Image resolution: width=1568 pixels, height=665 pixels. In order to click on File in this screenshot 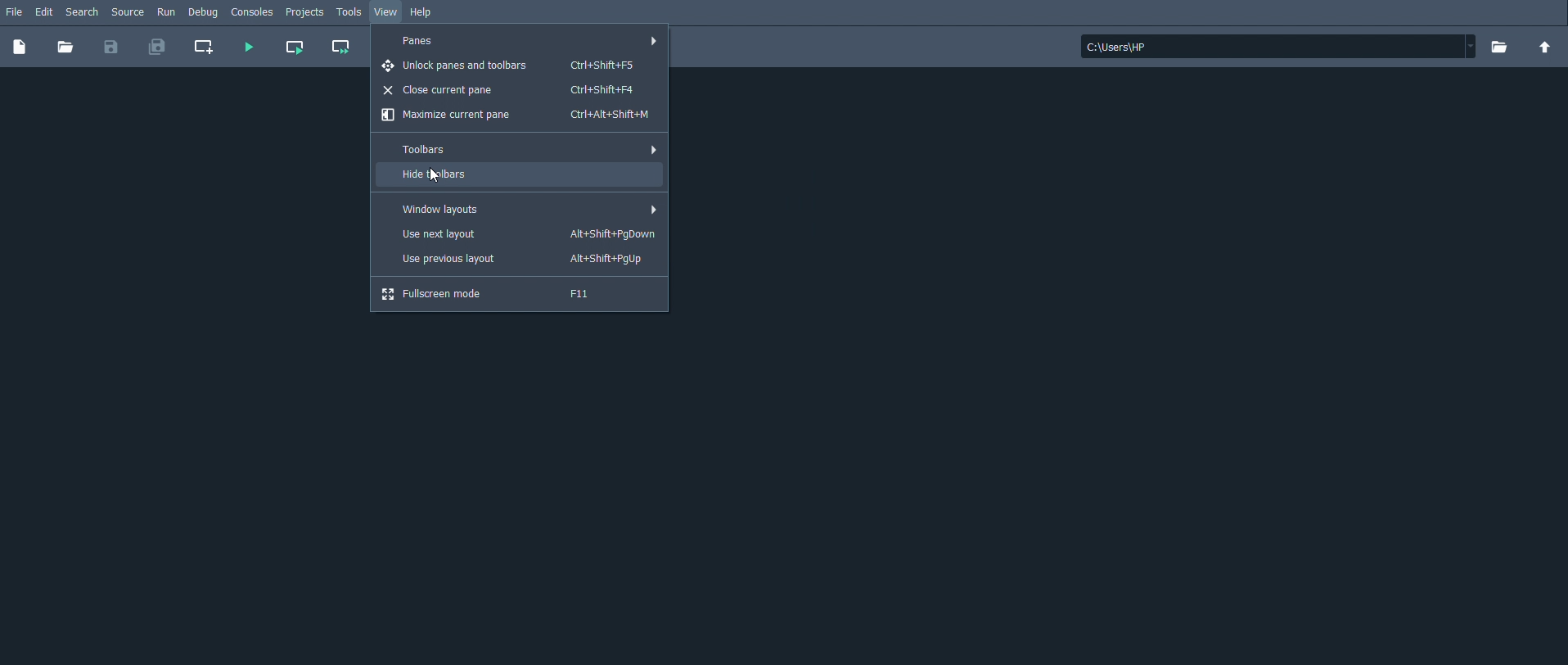, I will do `click(14, 11)`.